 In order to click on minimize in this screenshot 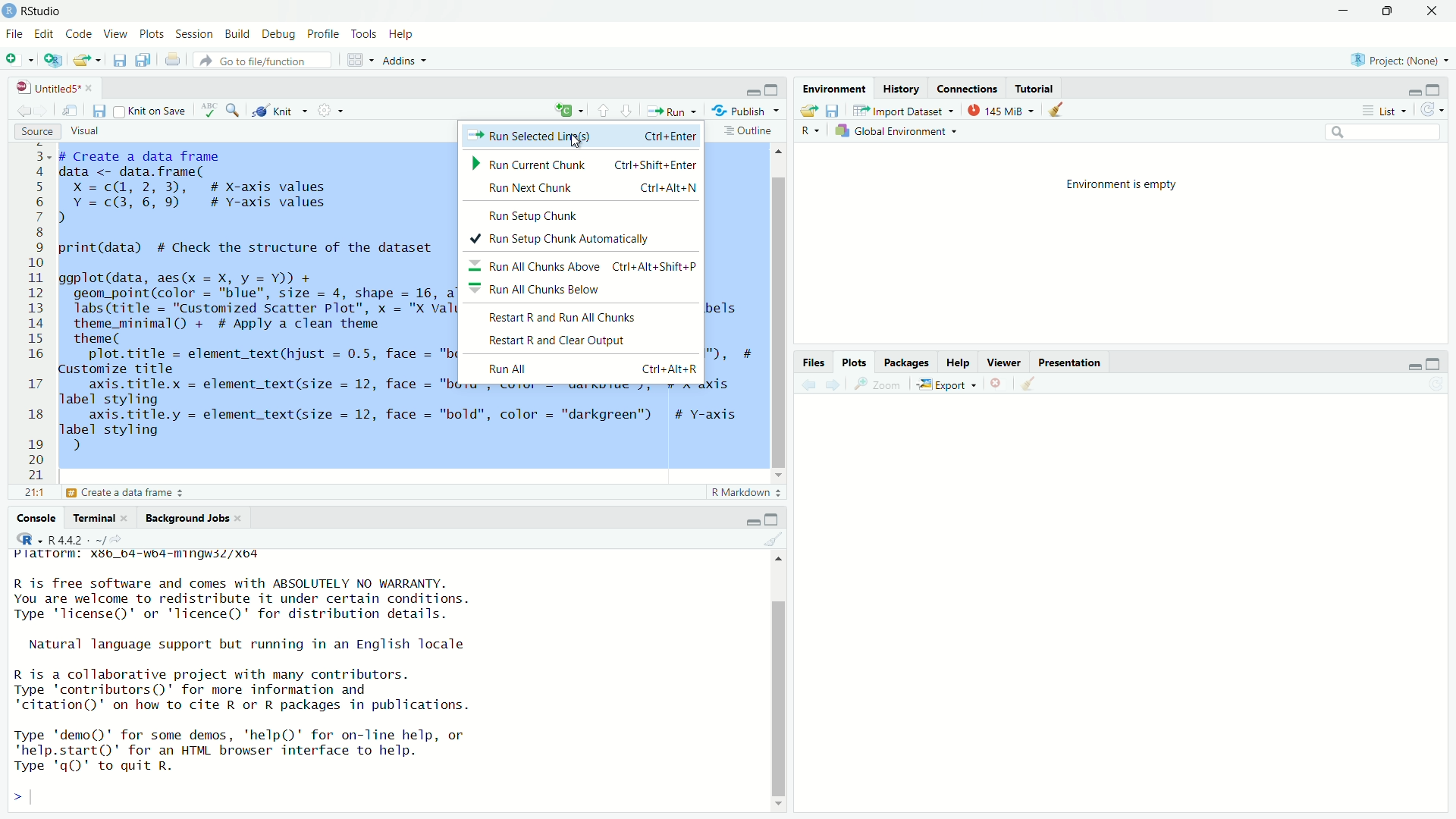, I will do `click(1412, 366)`.